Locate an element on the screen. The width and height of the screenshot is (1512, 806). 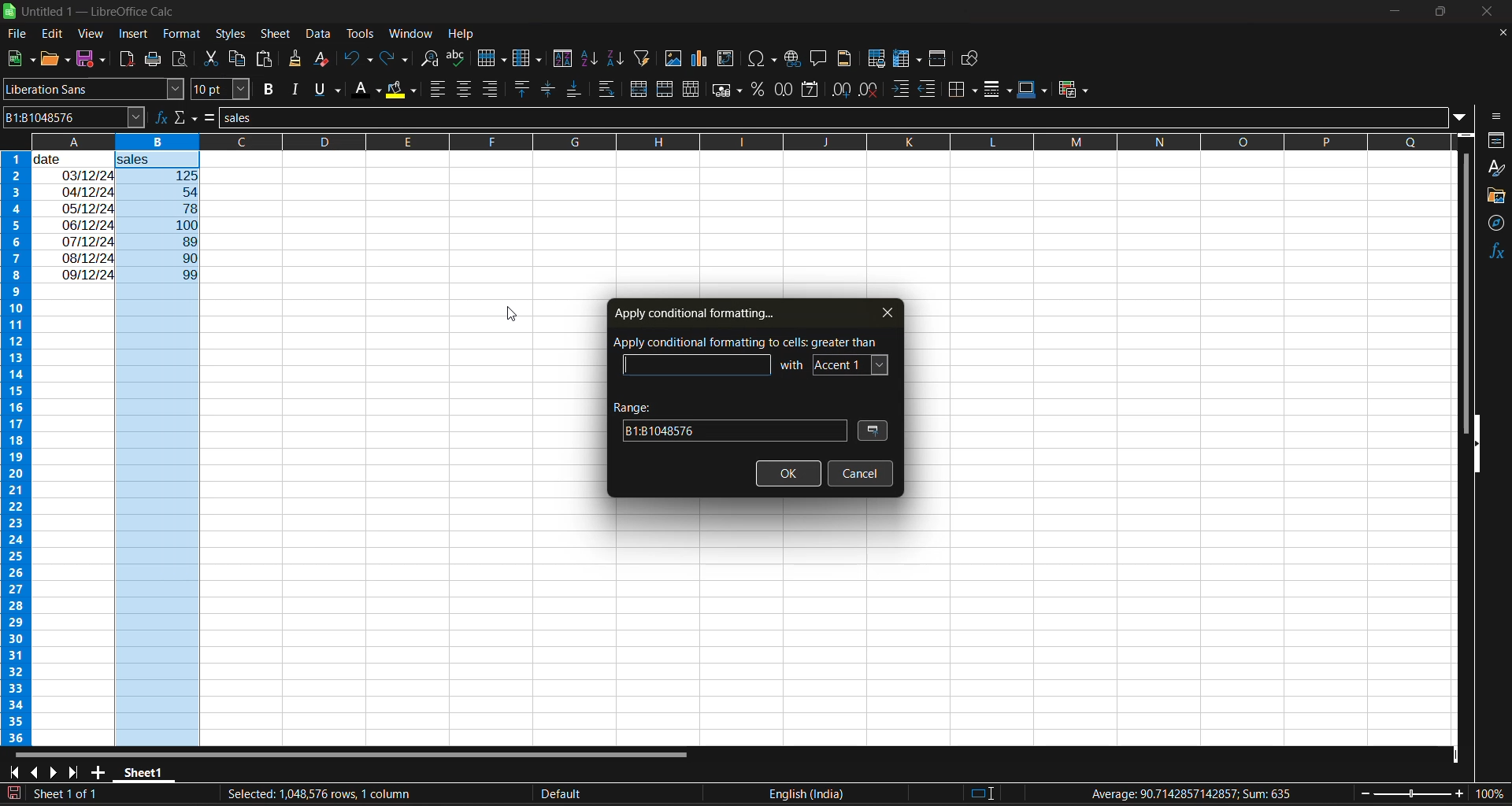
format as percent is located at coordinates (759, 90).